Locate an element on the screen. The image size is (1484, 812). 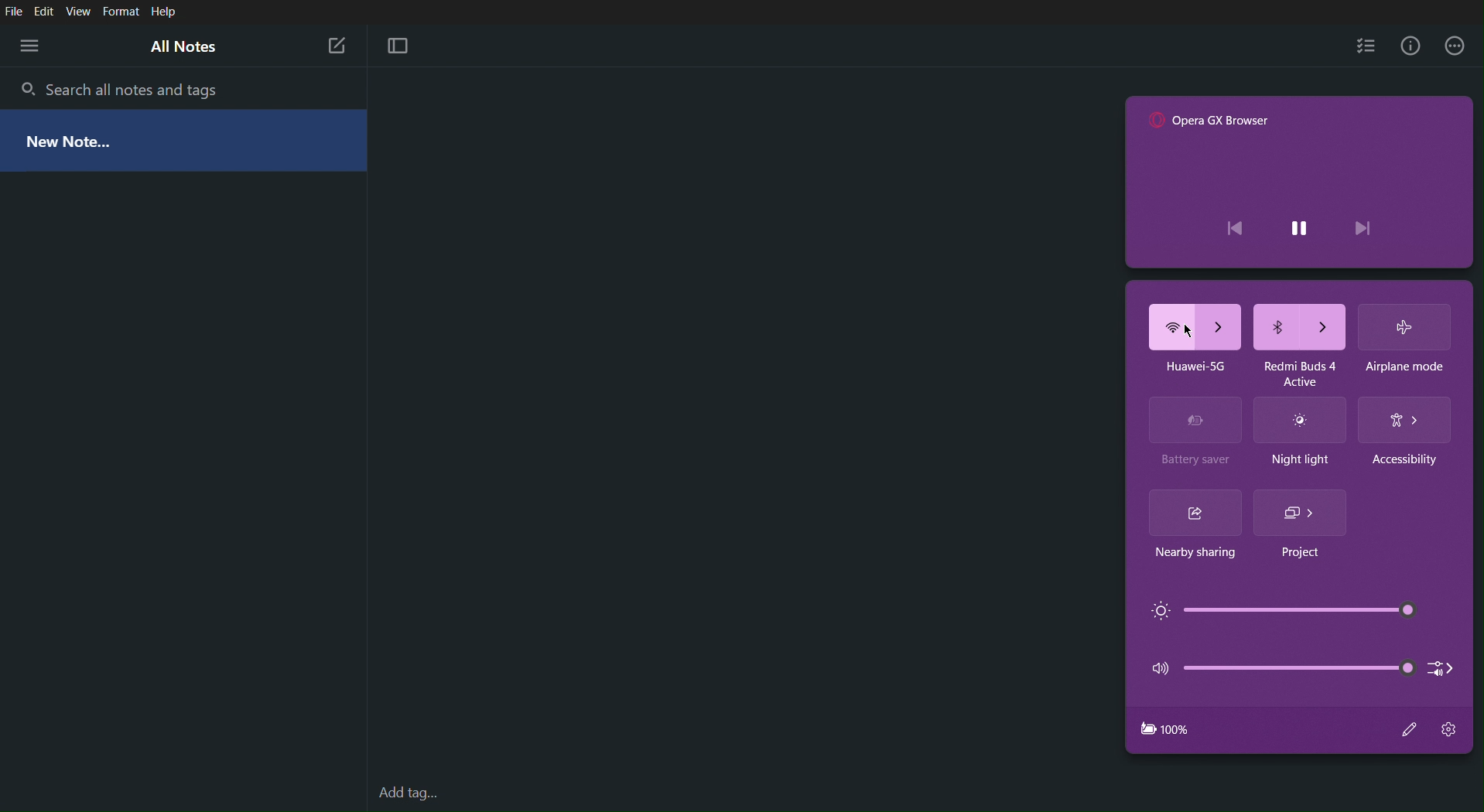
Airplane mode is located at coordinates (1405, 367).